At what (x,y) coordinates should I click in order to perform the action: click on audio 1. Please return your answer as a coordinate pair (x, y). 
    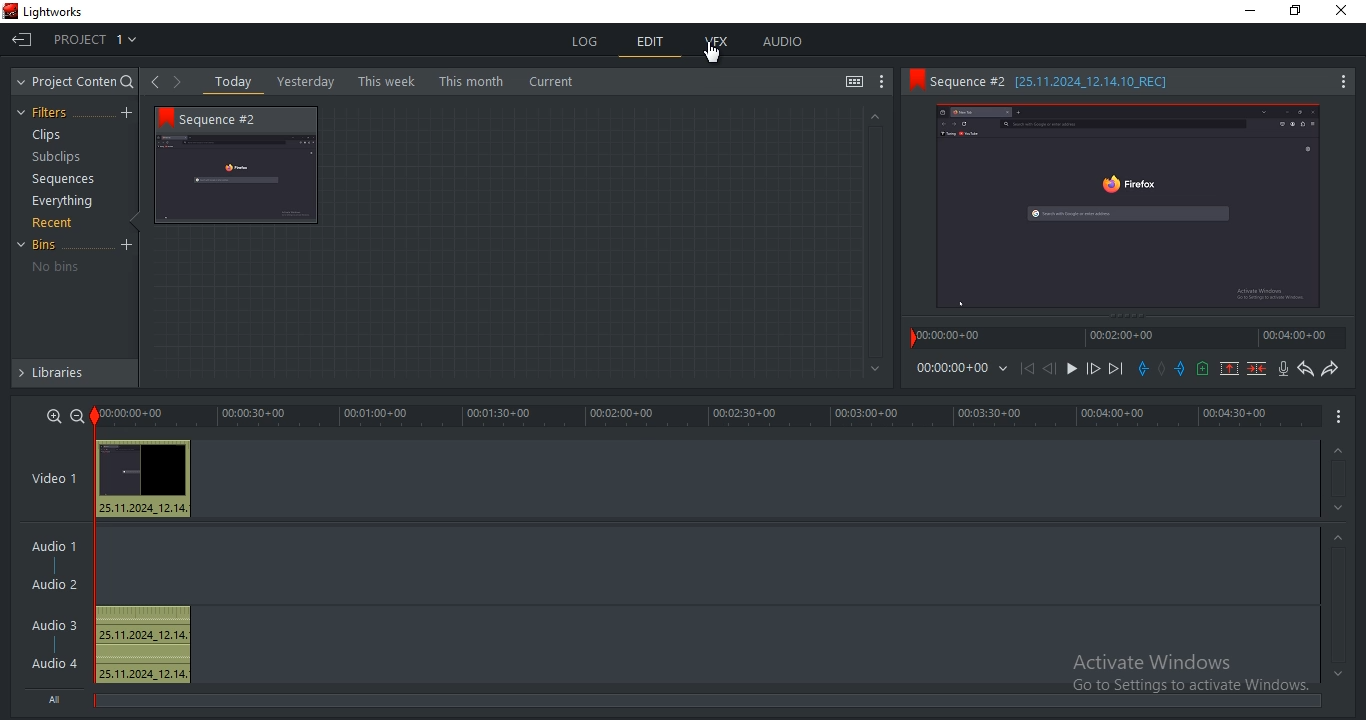
    Looking at the image, I should click on (57, 549).